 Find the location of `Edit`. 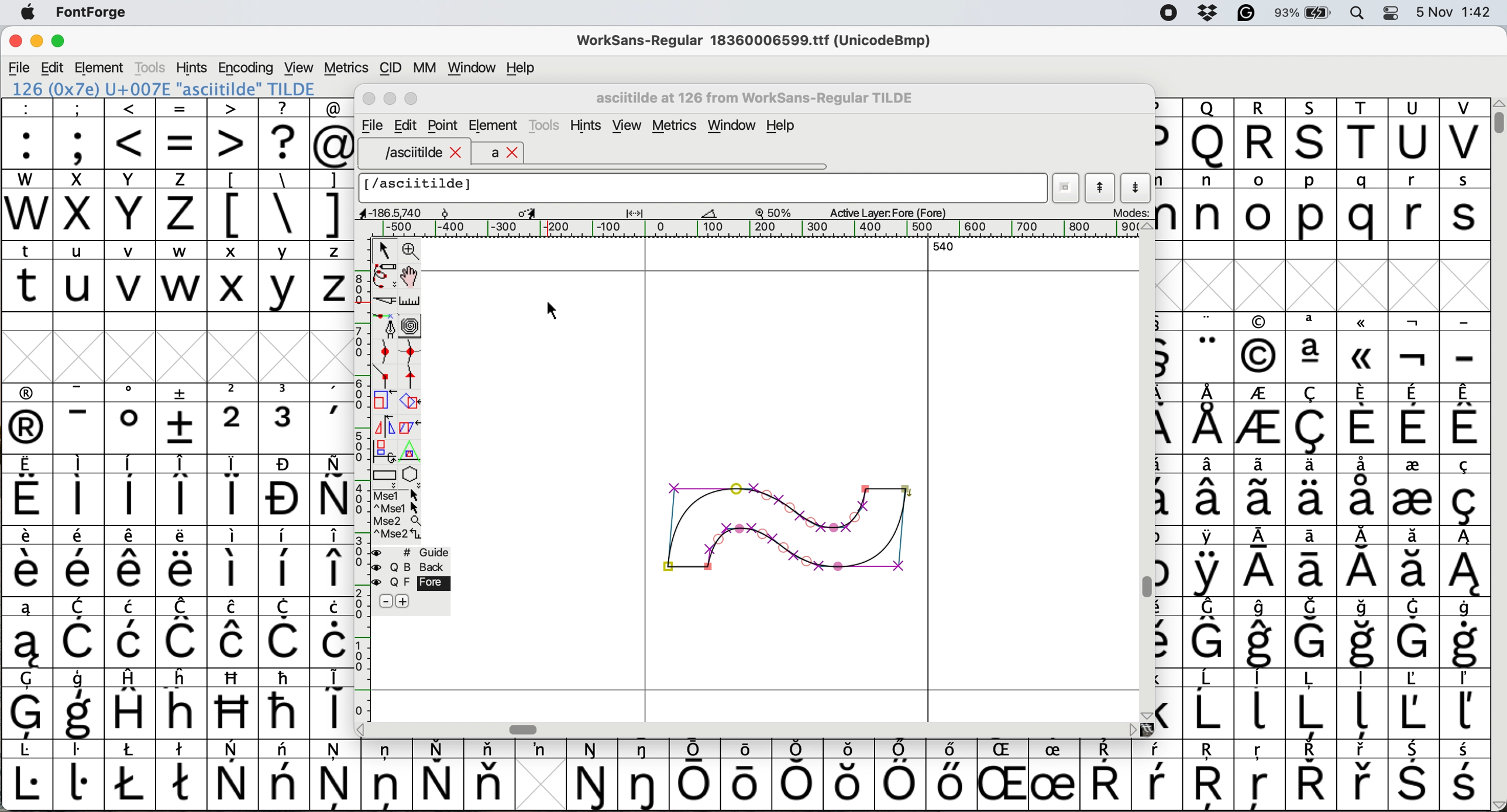

Edit is located at coordinates (405, 125).